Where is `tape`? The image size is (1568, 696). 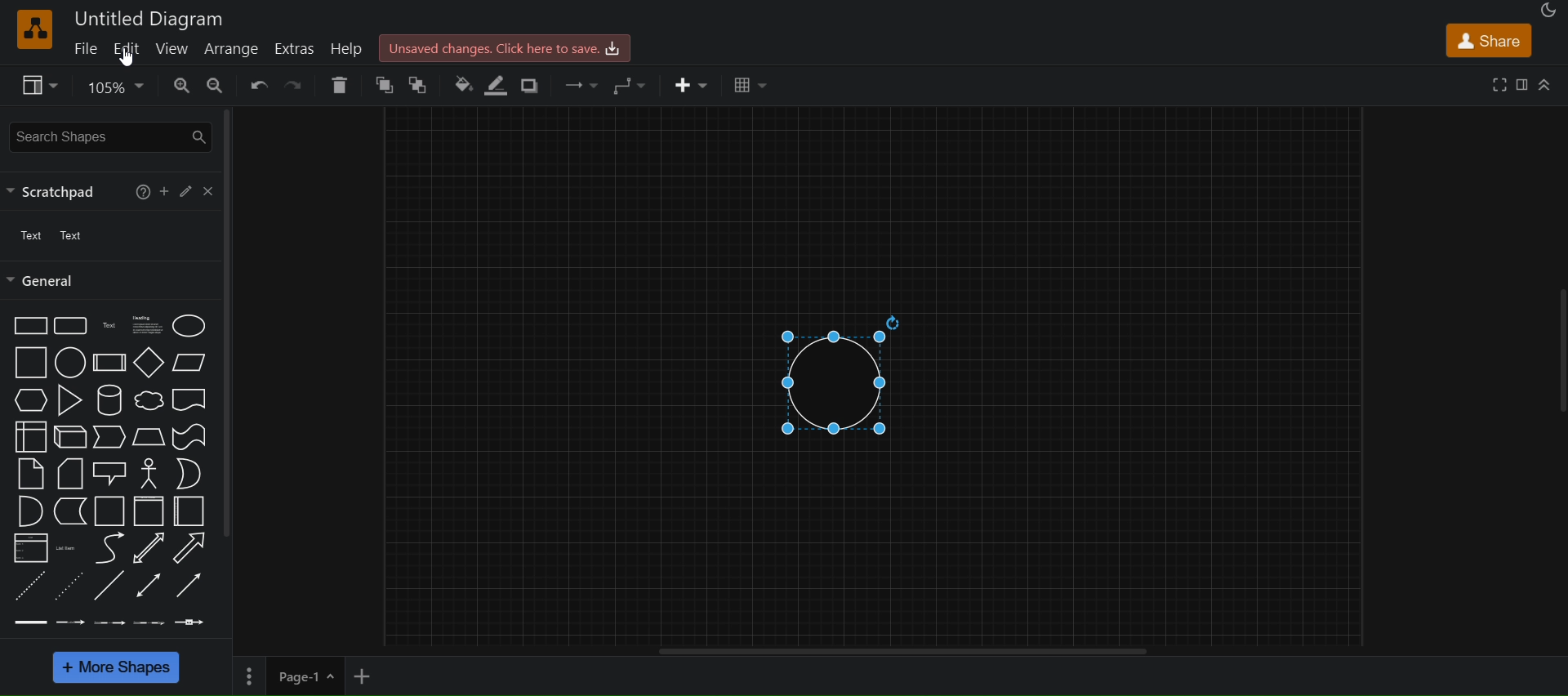 tape is located at coordinates (188, 437).